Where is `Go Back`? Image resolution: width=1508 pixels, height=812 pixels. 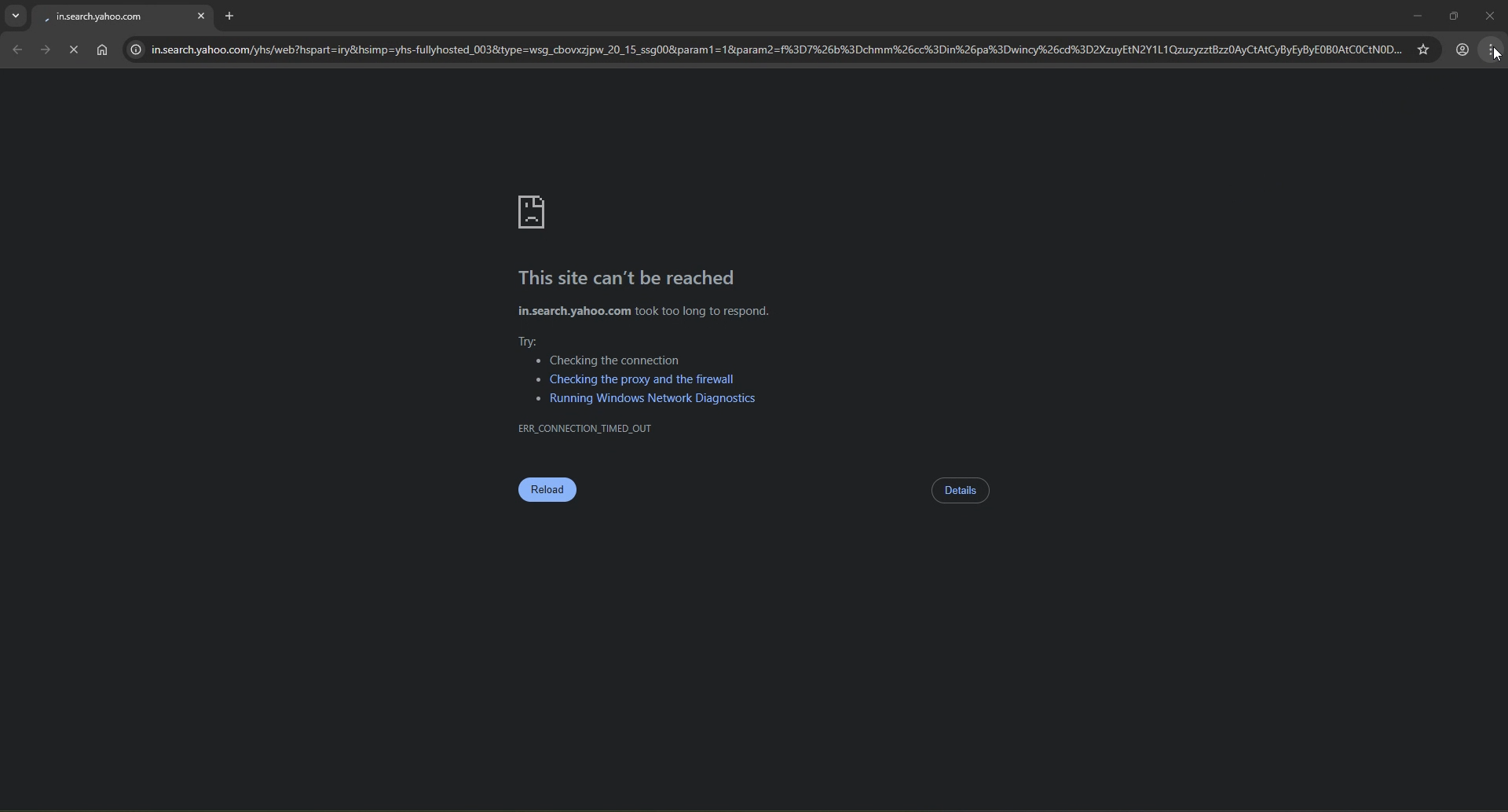
Go Back is located at coordinates (16, 49).